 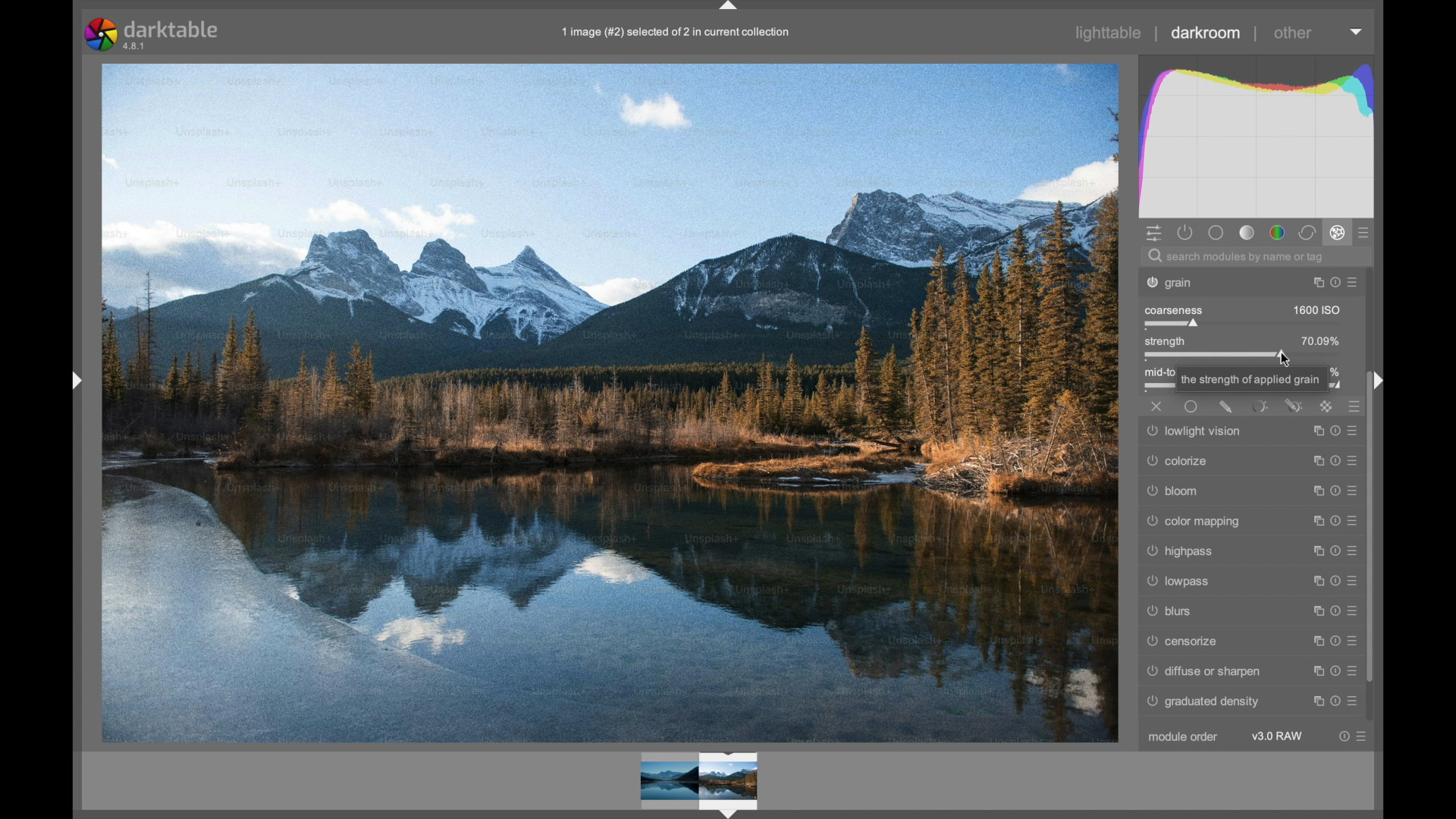 What do you see at coordinates (1314, 673) in the screenshot?
I see `instance` at bounding box center [1314, 673].